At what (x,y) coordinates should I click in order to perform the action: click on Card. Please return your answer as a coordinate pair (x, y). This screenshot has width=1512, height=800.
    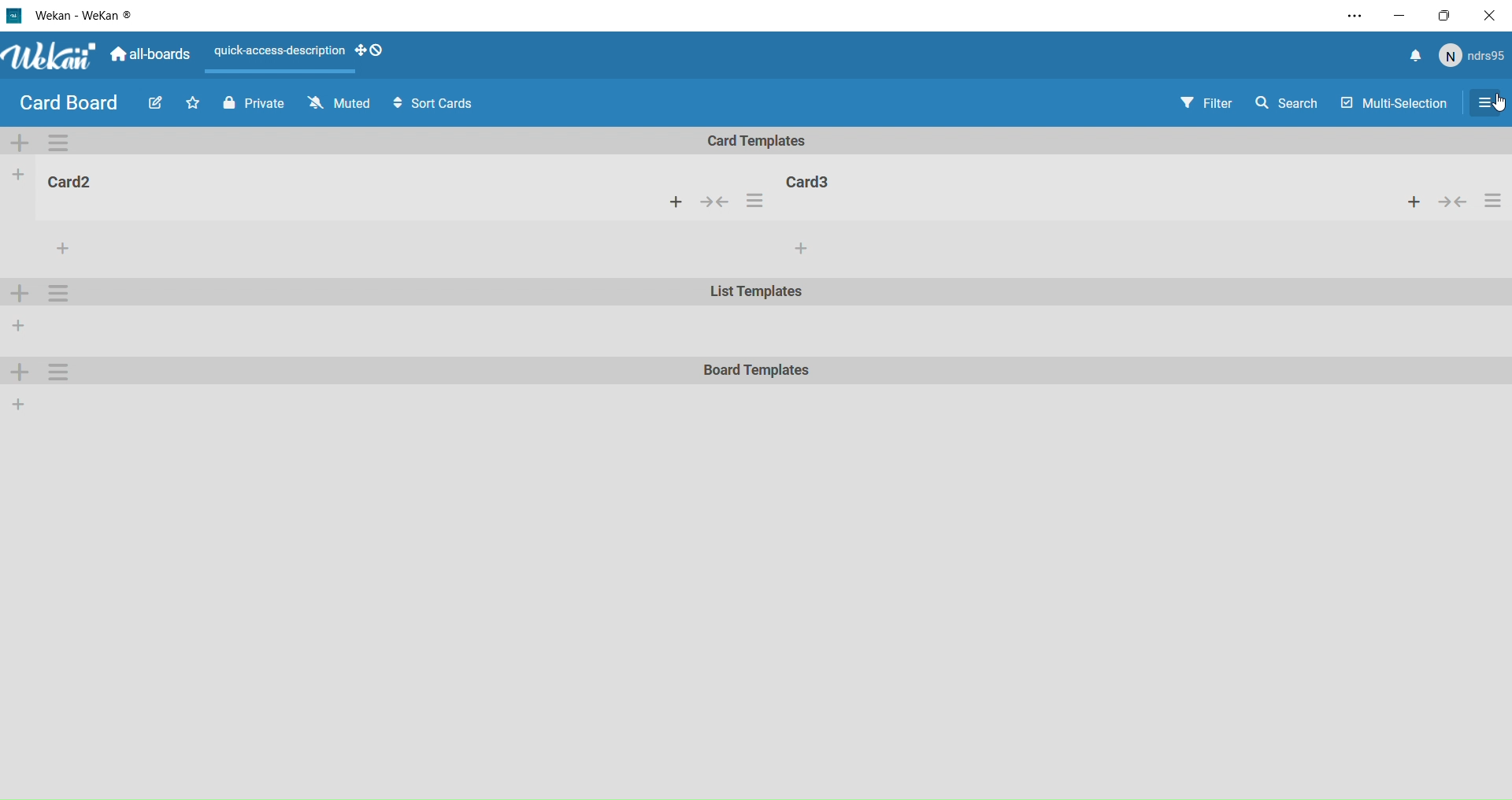
    Looking at the image, I should click on (815, 180).